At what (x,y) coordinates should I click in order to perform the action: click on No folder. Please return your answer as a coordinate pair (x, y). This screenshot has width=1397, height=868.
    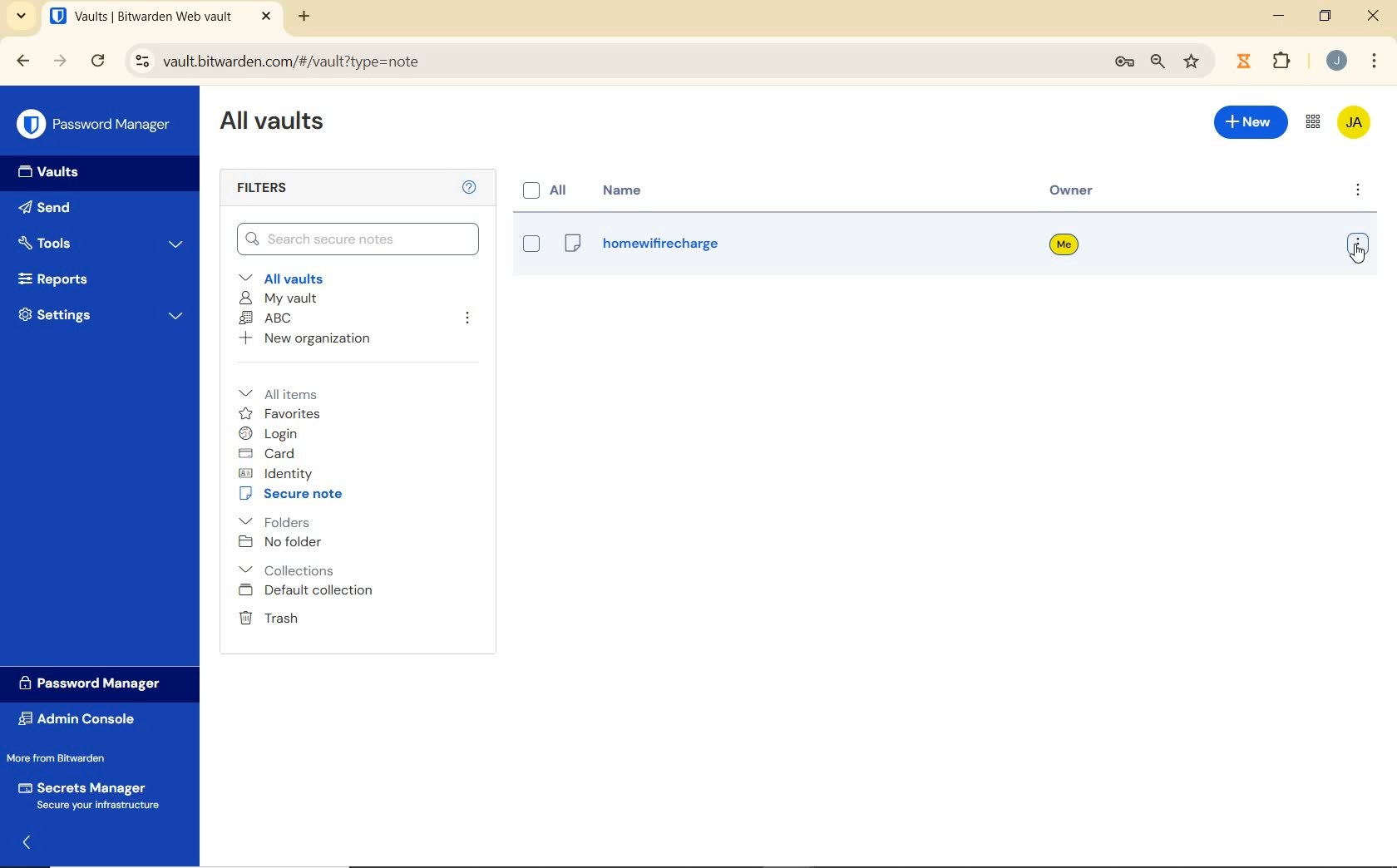
    Looking at the image, I should click on (280, 542).